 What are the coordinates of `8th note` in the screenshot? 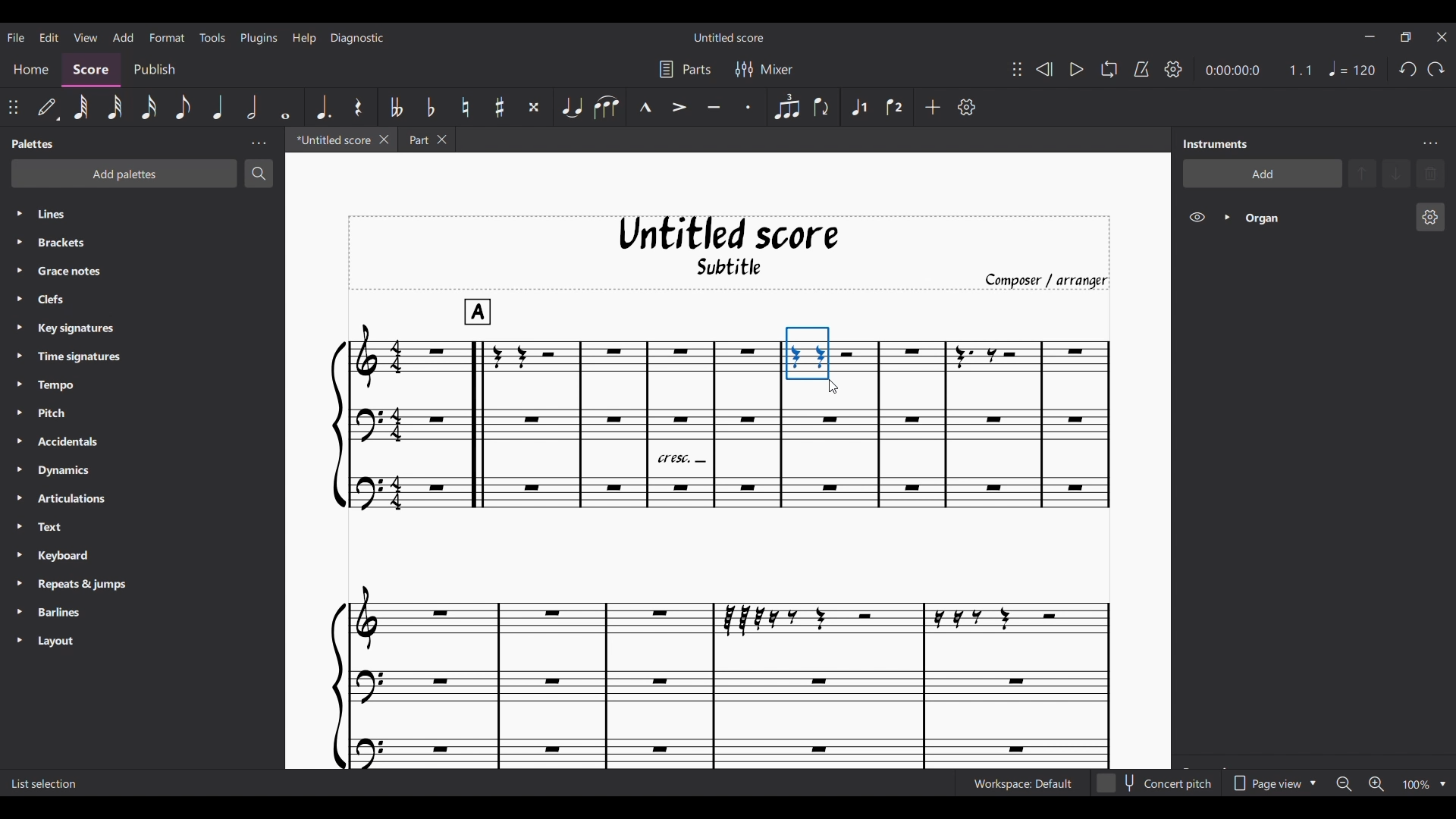 It's located at (184, 108).